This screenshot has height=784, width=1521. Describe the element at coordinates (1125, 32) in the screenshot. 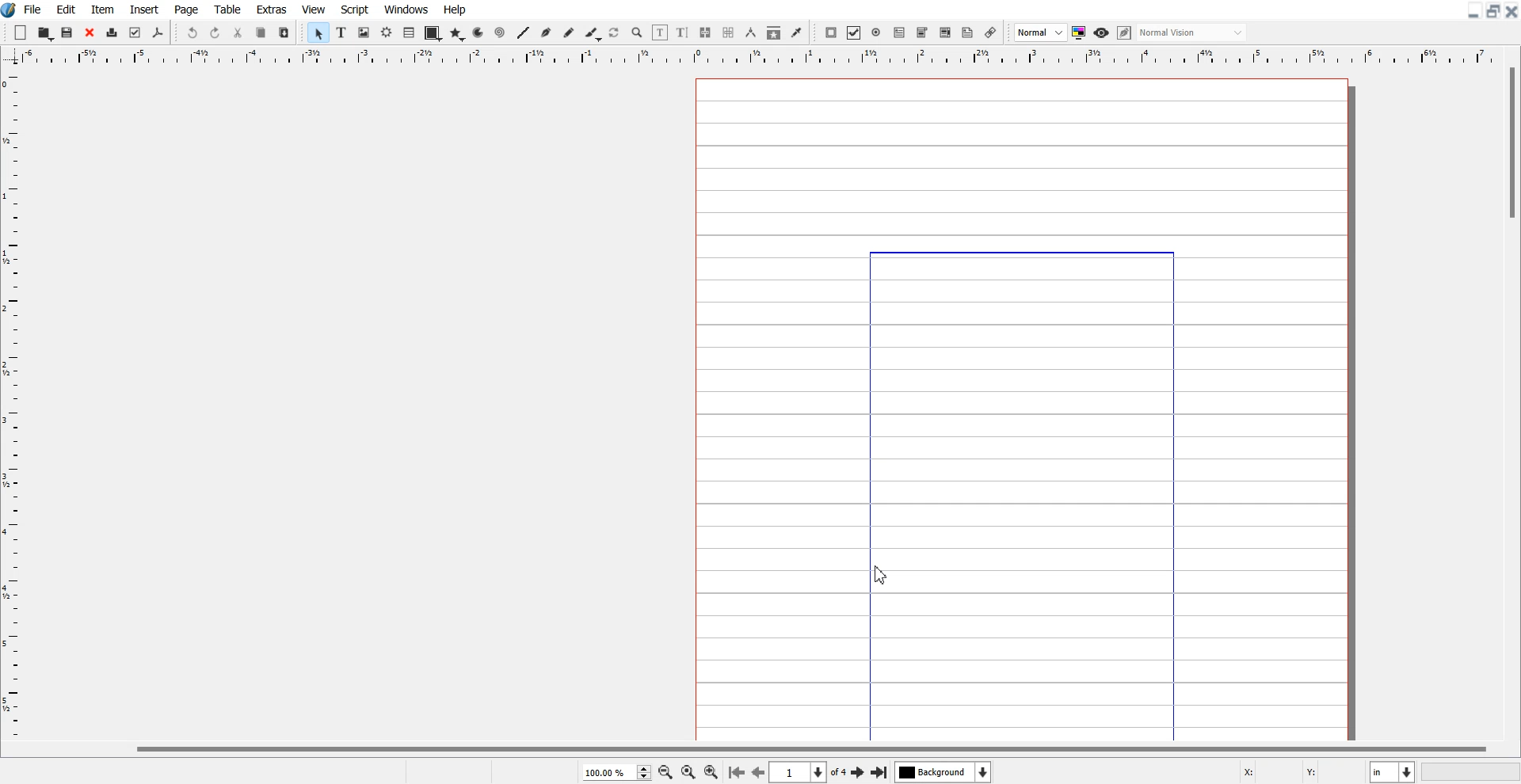

I see `Edit in preview mode` at that location.